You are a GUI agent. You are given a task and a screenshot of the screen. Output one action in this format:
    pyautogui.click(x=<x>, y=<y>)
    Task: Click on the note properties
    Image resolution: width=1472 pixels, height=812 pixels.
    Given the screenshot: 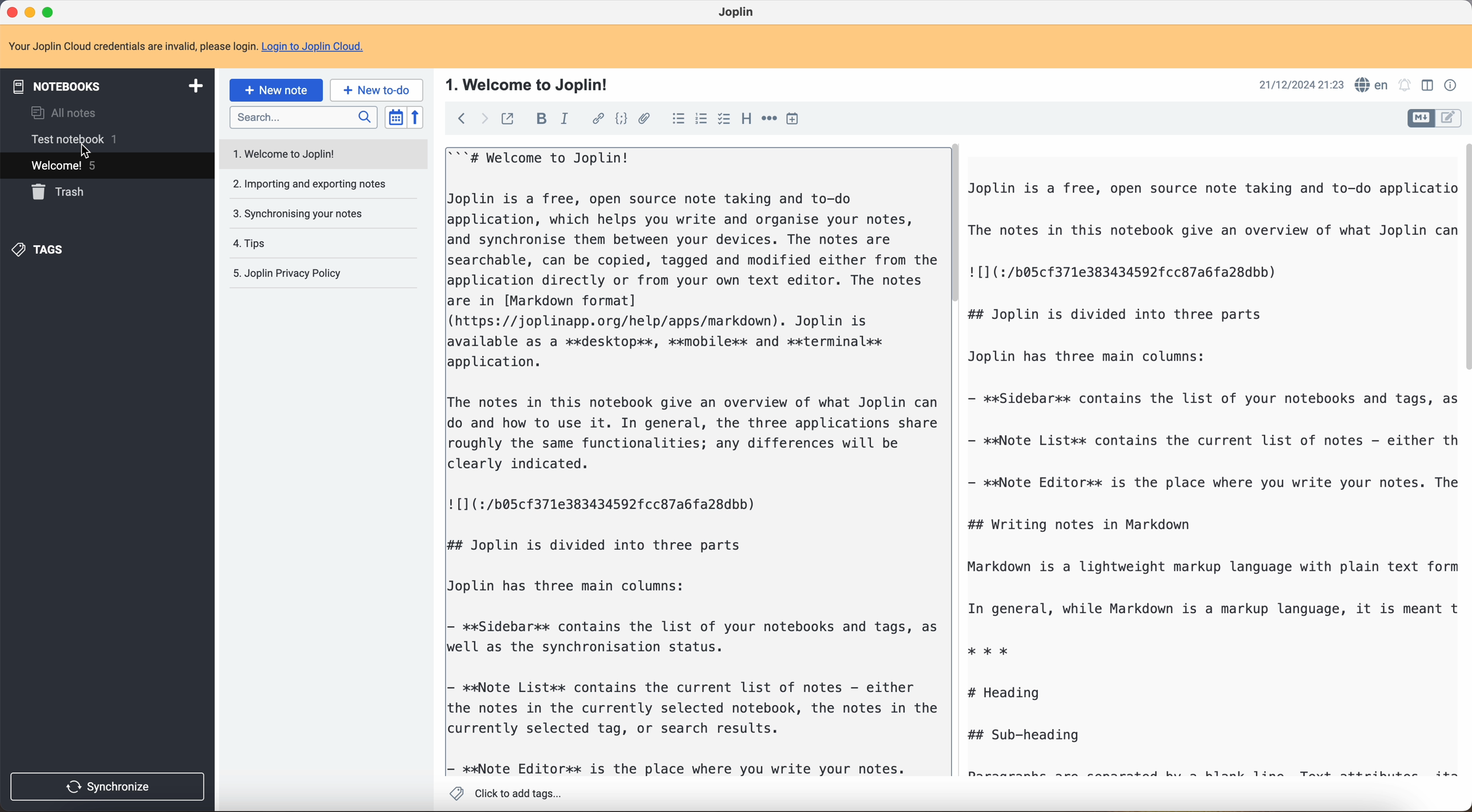 What is the action you would take?
    pyautogui.click(x=1455, y=85)
    